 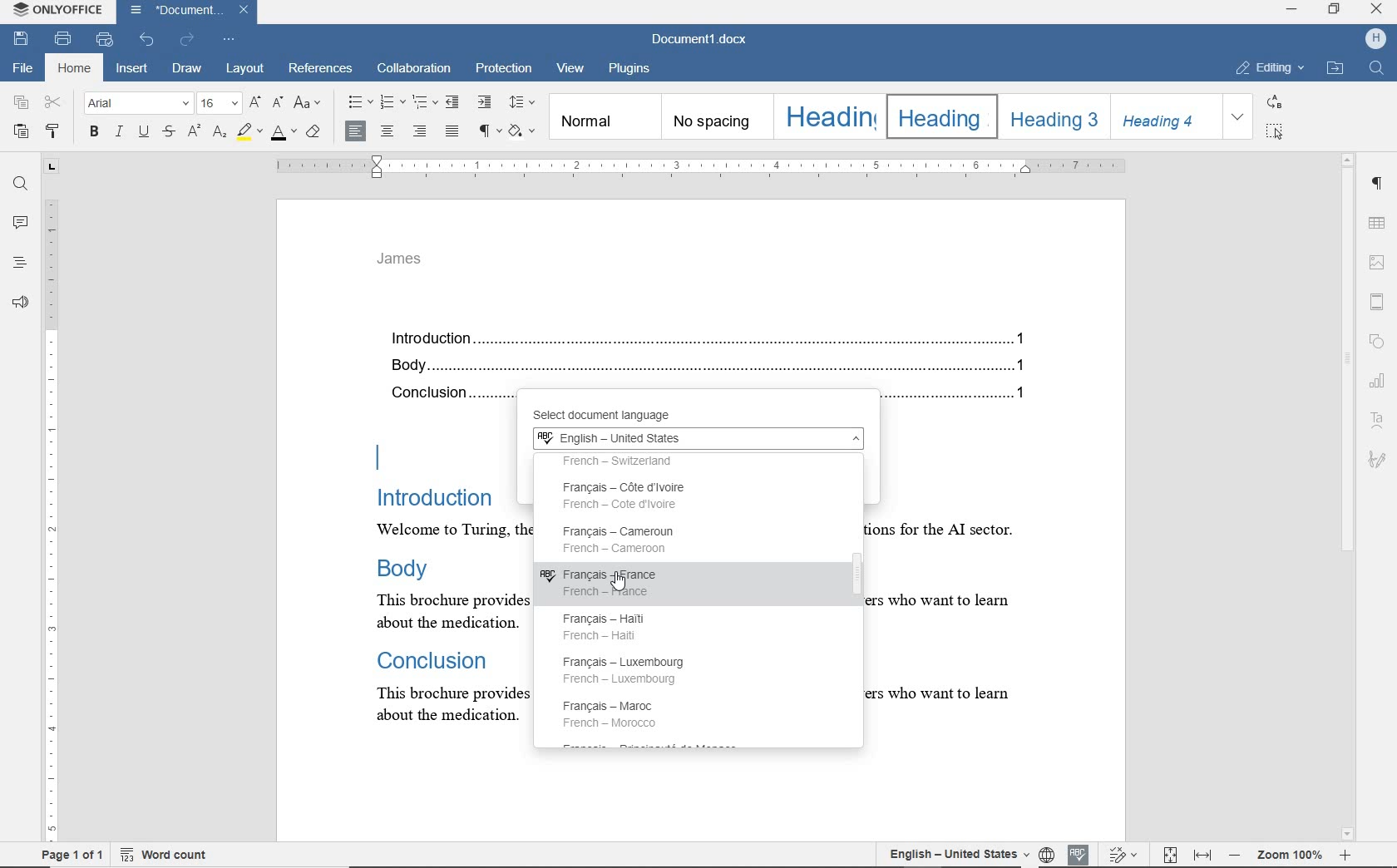 What do you see at coordinates (70, 856) in the screenshot?
I see `page 1 of 1` at bounding box center [70, 856].